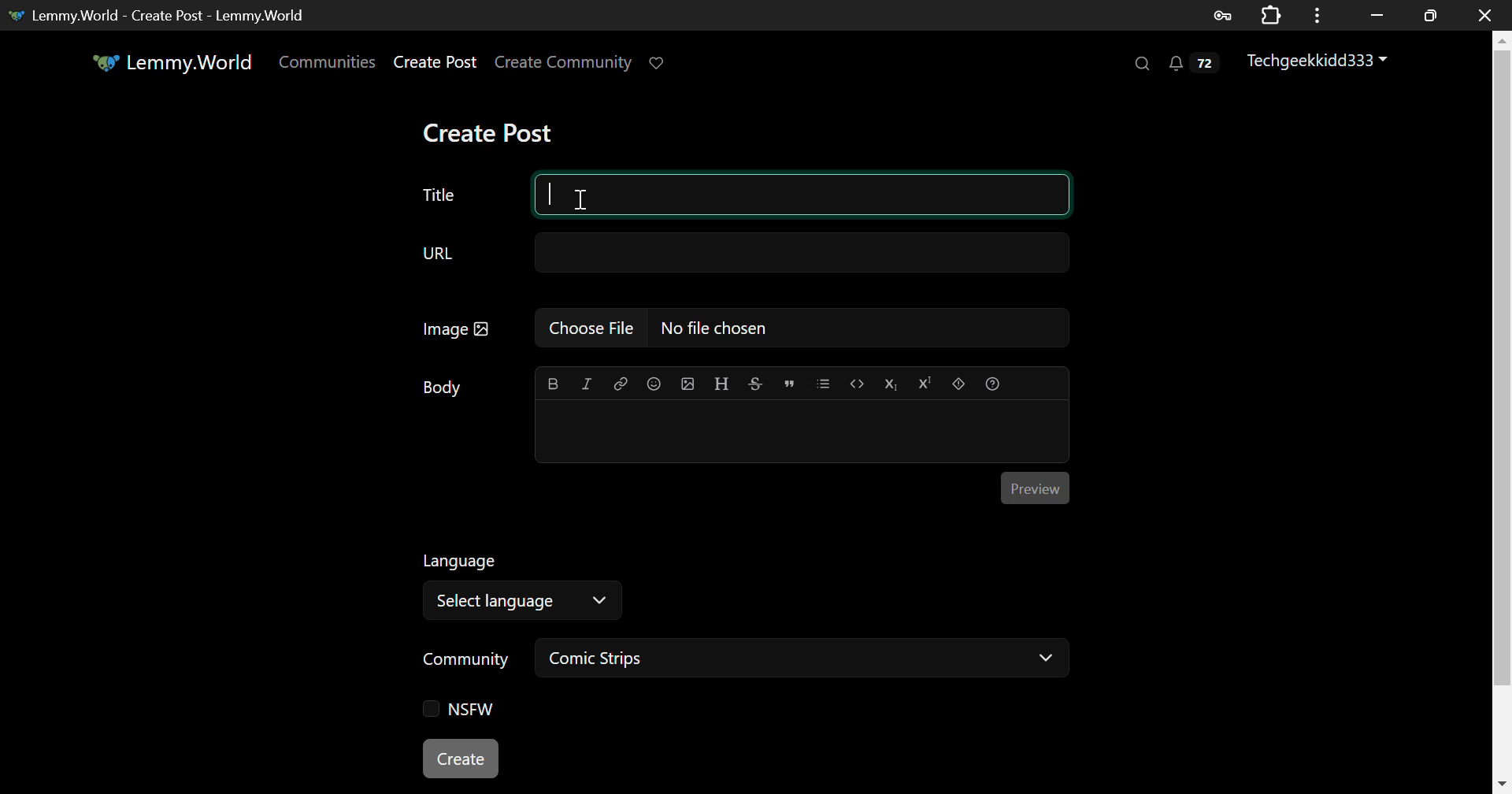 The height and width of the screenshot is (794, 1512). I want to click on Community: Comic Strips, so click(739, 661).